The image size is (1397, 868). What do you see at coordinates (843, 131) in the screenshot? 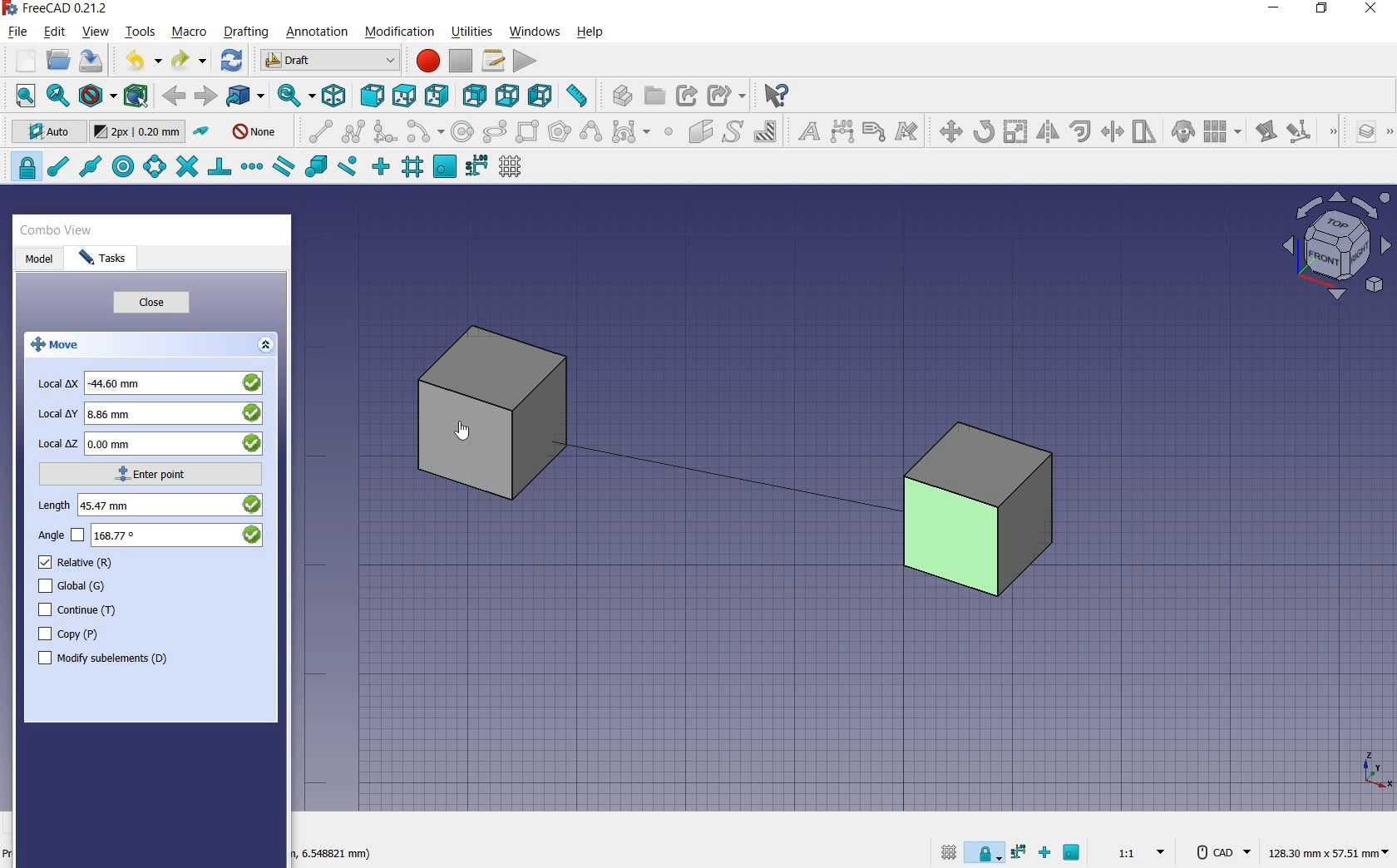
I see `dimension` at bounding box center [843, 131].